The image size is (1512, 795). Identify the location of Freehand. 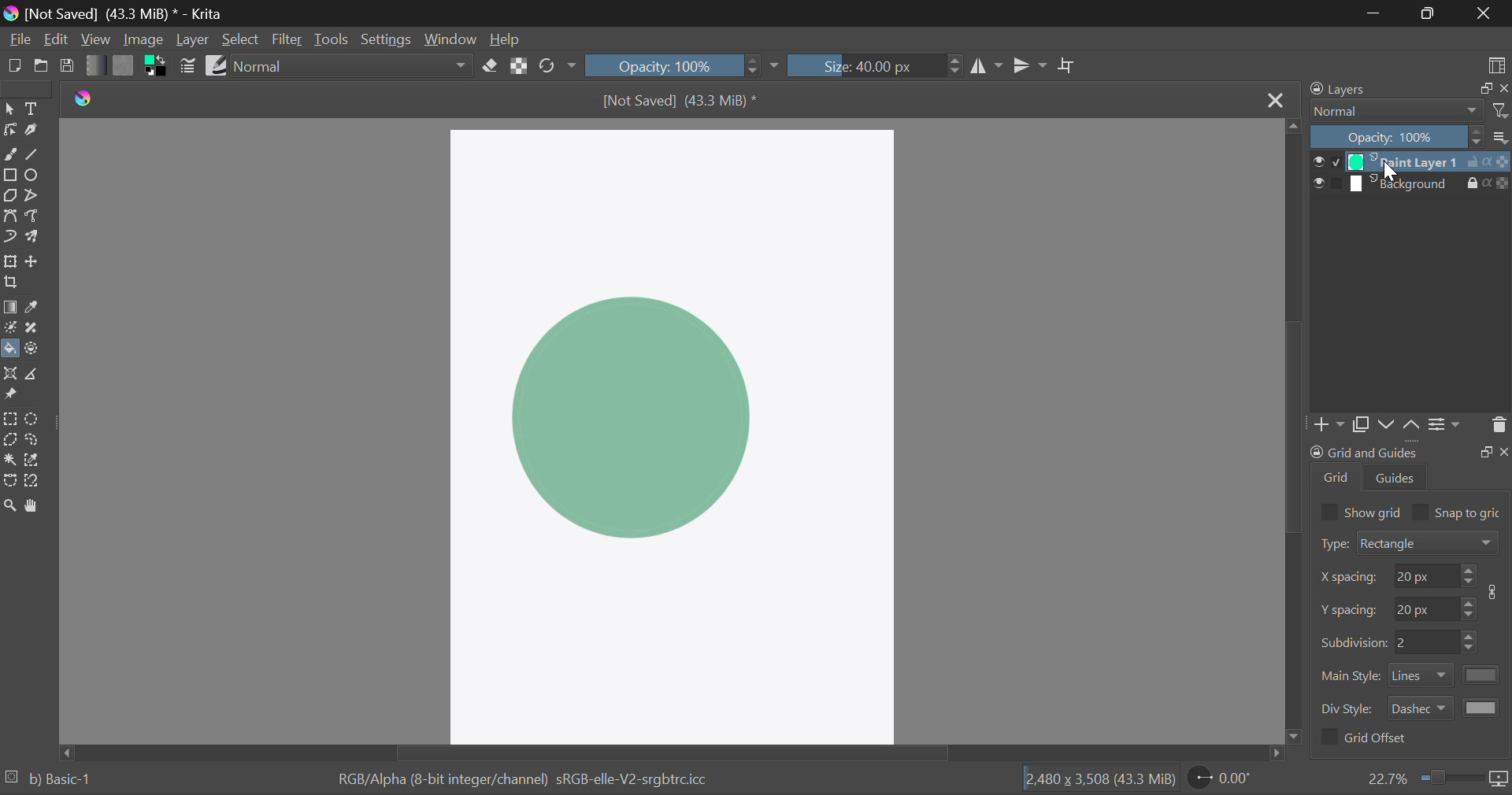
(11, 154).